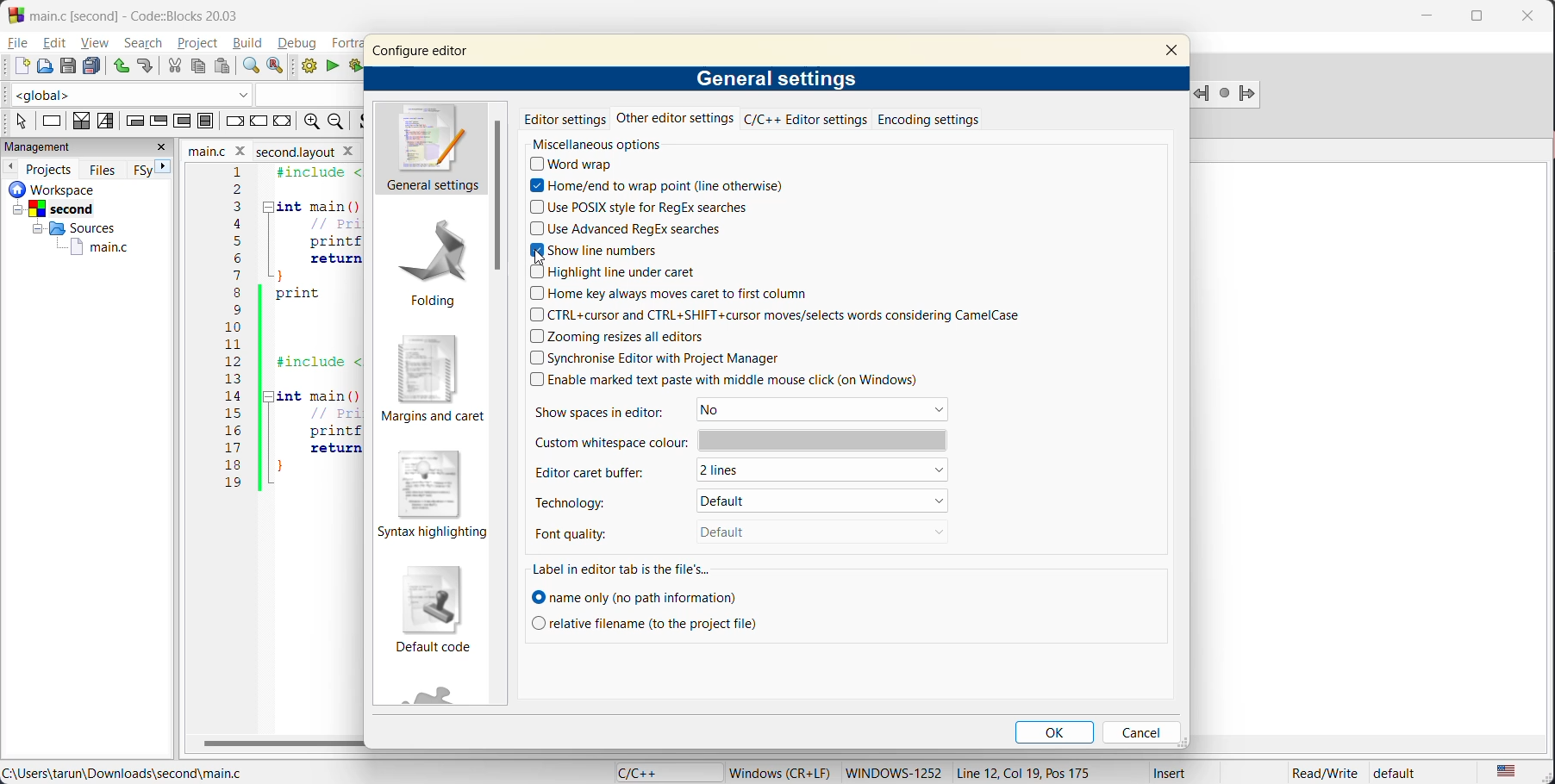 The width and height of the screenshot is (1555, 784). Describe the element at coordinates (197, 65) in the screenshot. I see `copy` at that location.